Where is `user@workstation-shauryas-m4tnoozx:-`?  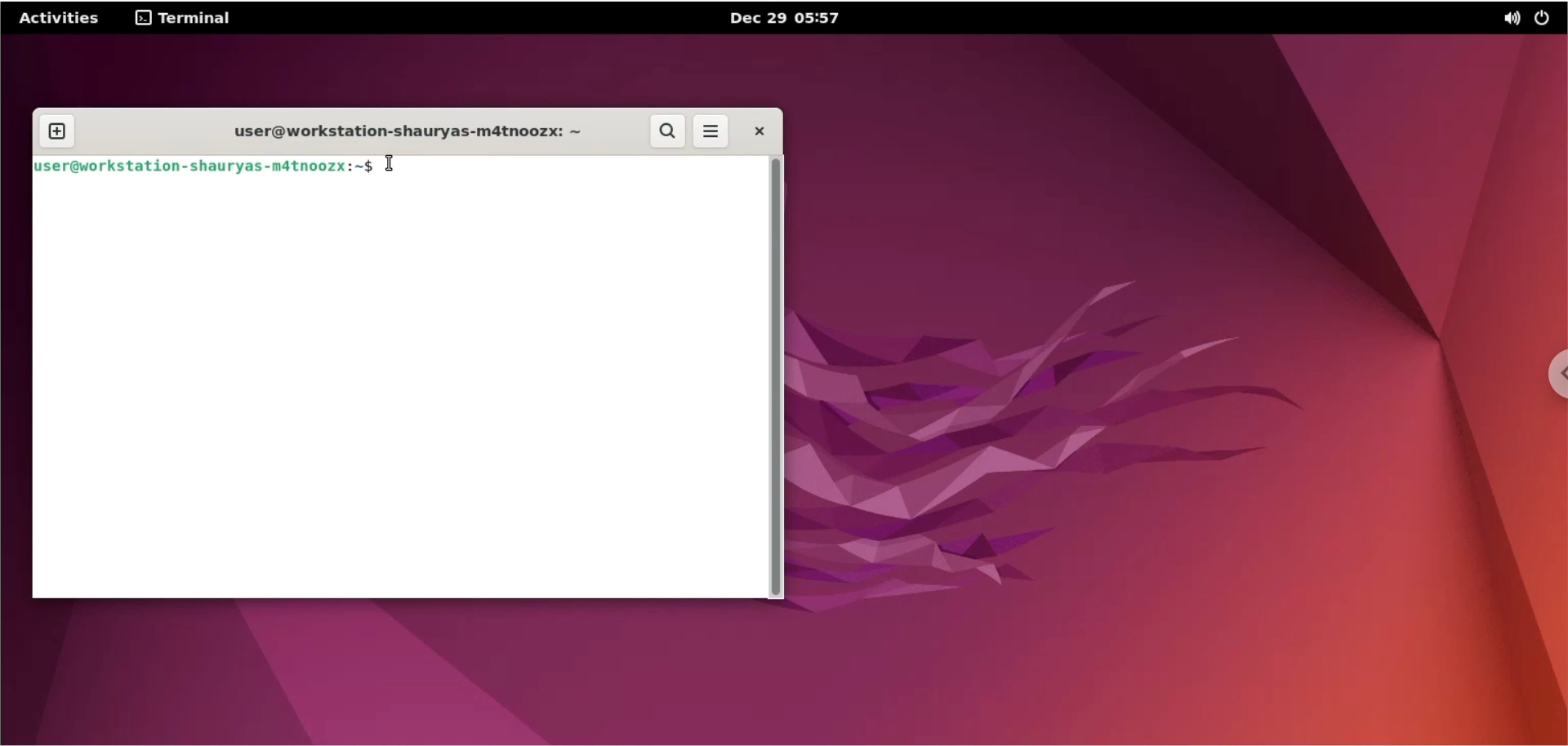 user@workstation-shauryas-m4tnoozx:- is located at coordinates (203, 166).